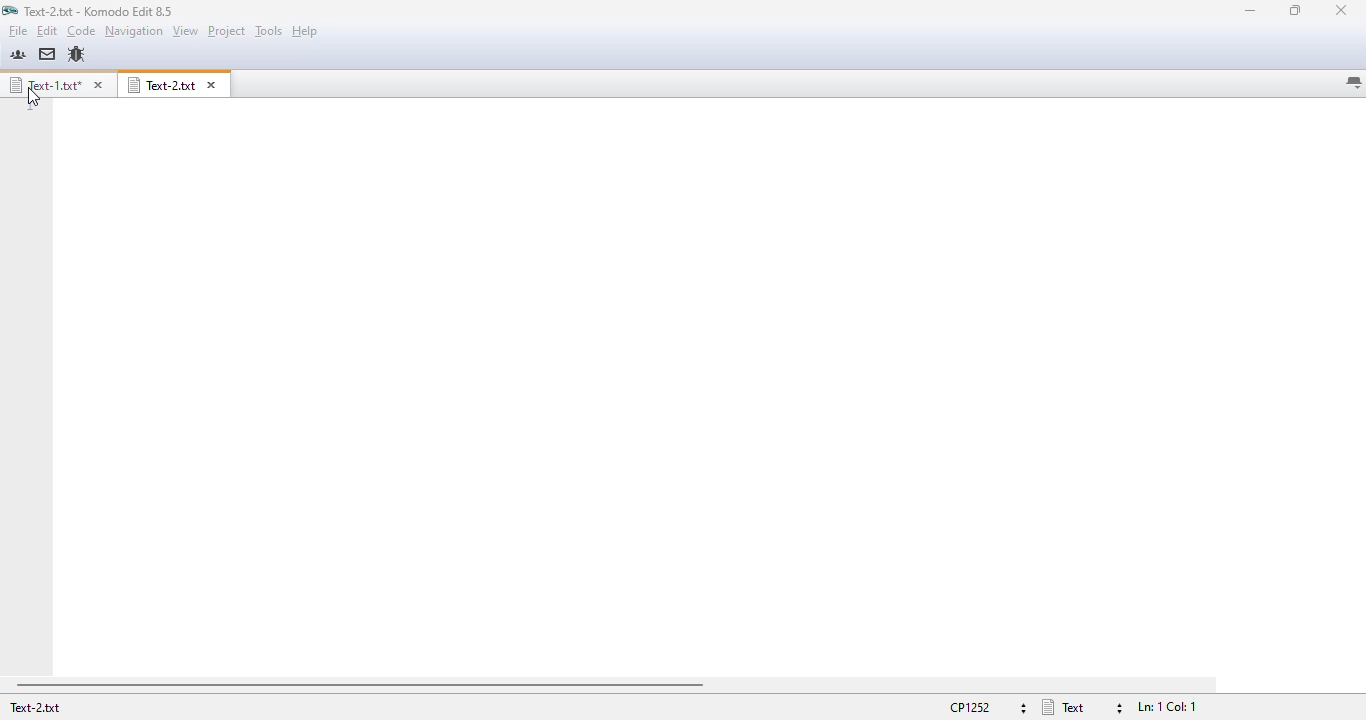 This screenshot has width=1366, height=720. I want to click on tools, so click(269, 31).